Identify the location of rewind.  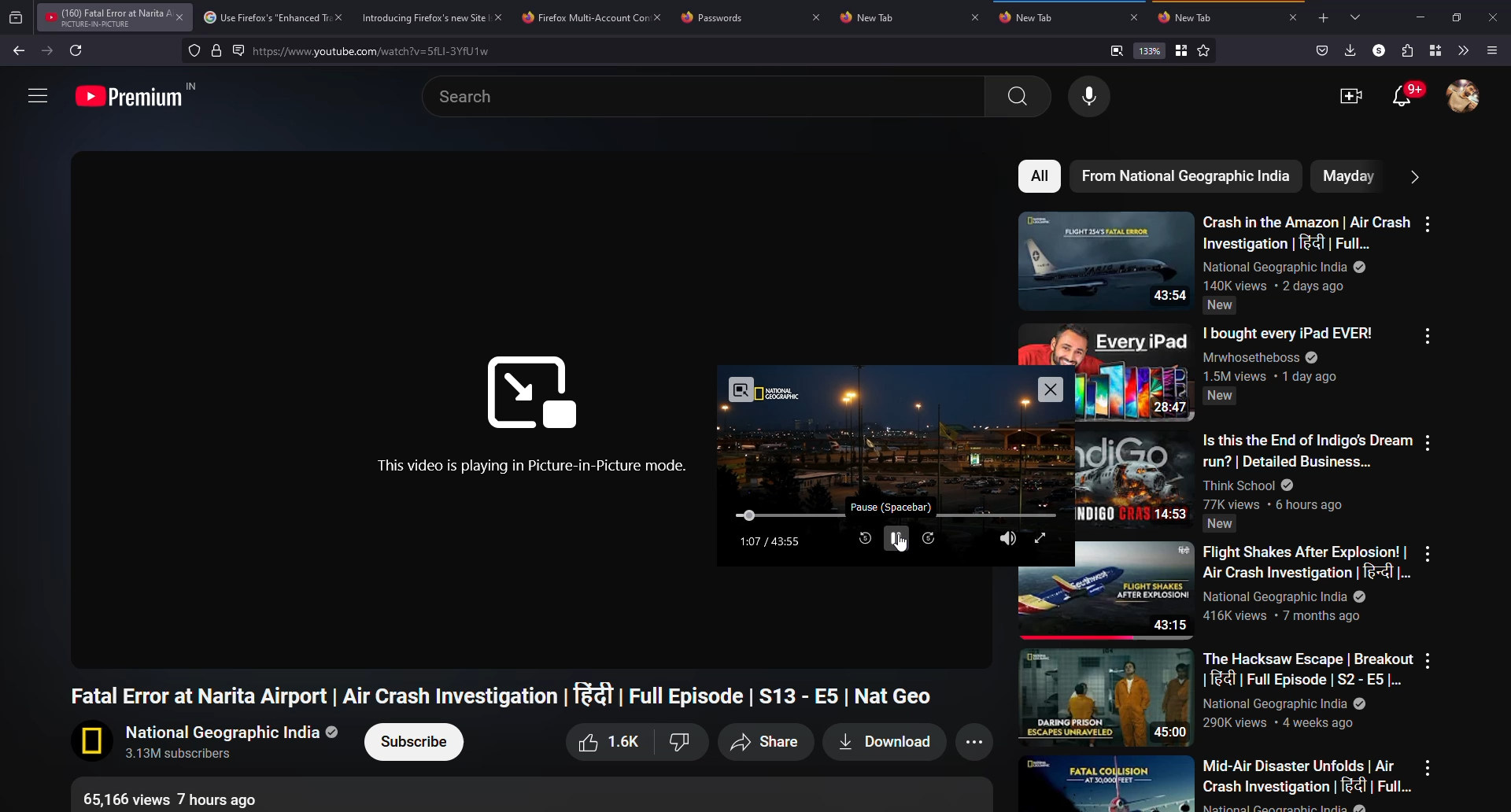
(864, 539).